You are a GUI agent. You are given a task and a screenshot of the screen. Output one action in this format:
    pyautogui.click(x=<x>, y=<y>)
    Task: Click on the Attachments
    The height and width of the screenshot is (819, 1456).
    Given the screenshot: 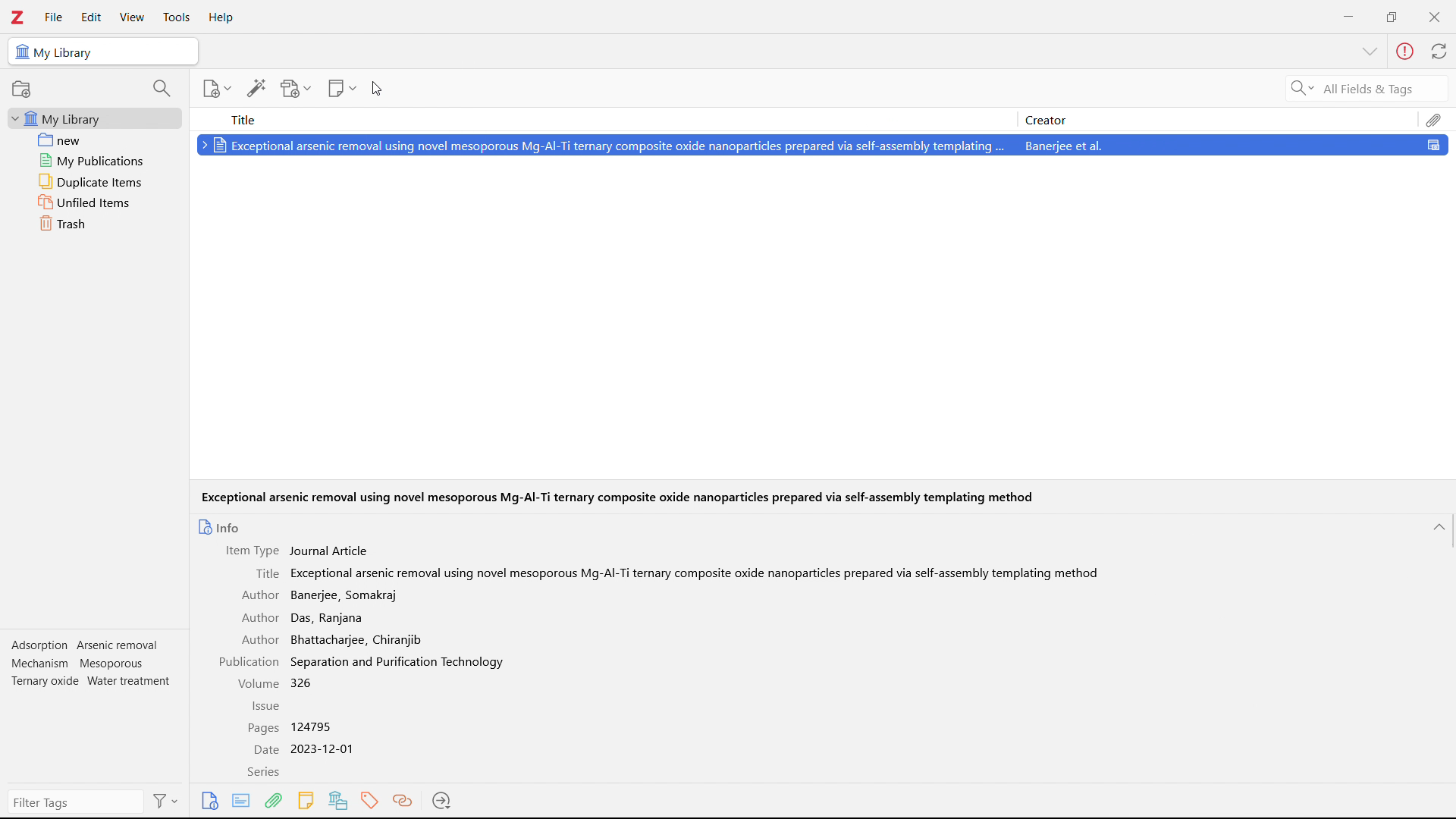 What is the action you would take?
    pyautogui.click(x=1437, y=119)
    